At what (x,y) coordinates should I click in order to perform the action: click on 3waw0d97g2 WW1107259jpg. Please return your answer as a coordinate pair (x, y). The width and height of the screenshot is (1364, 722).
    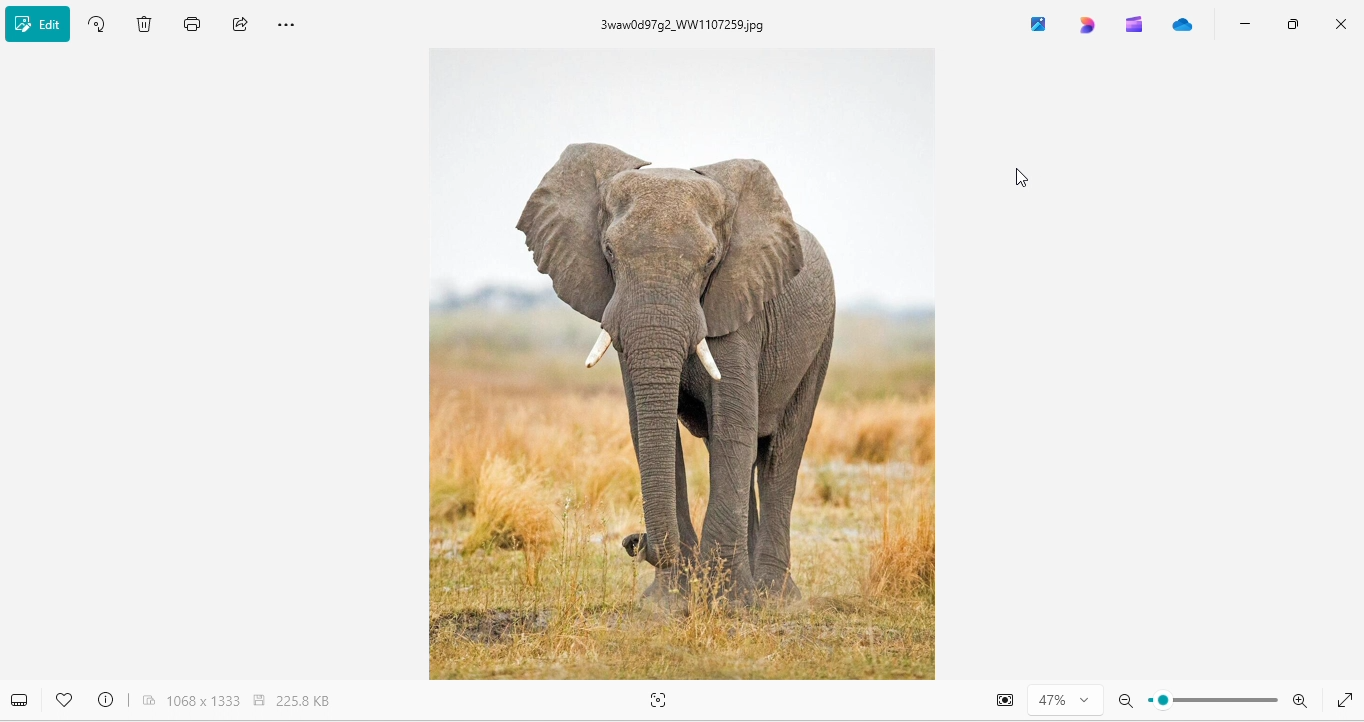
    Looking at the image, I should click on (688, 27).